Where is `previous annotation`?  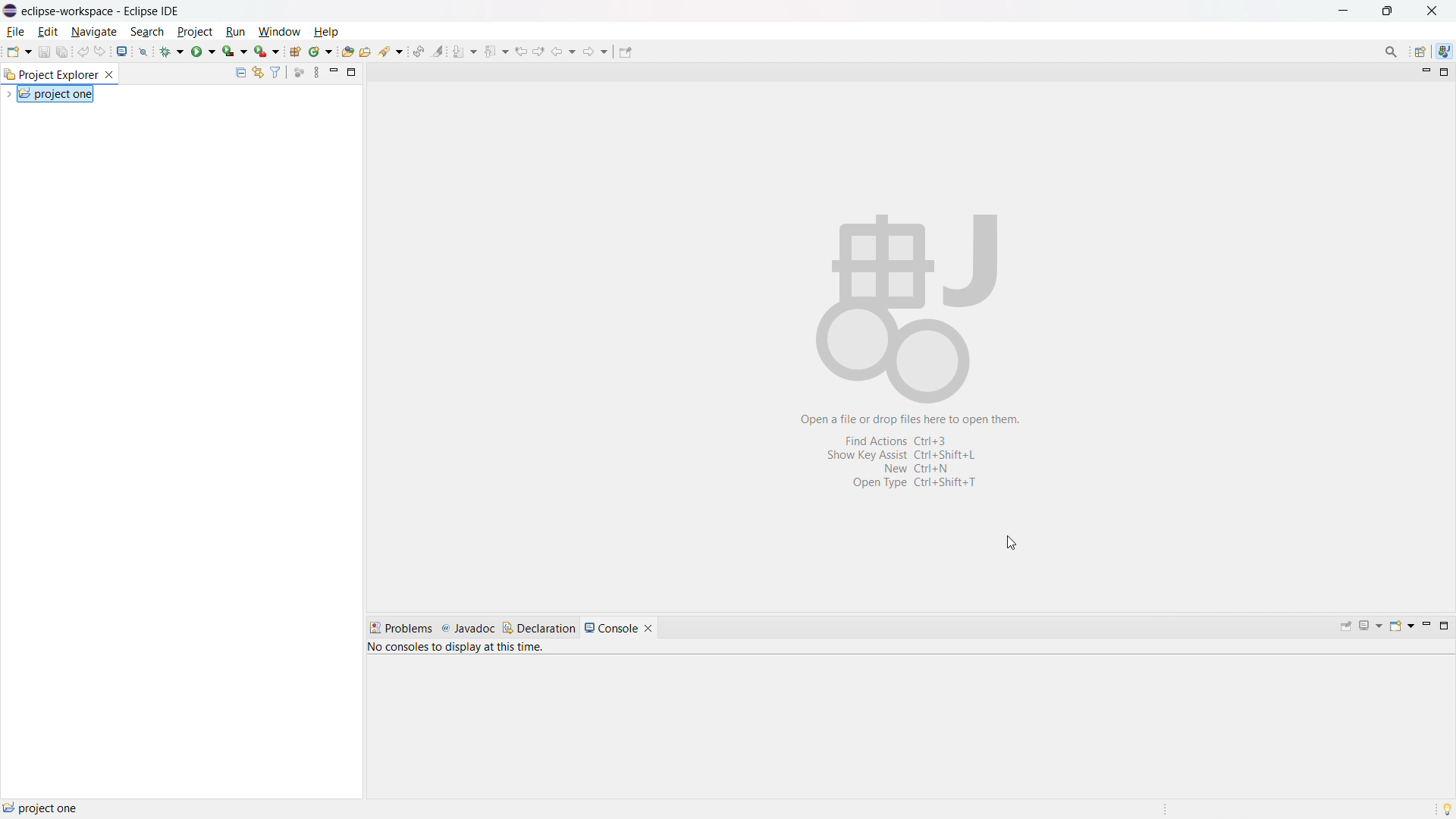 previous annotation is located at coordinates (495, 50).